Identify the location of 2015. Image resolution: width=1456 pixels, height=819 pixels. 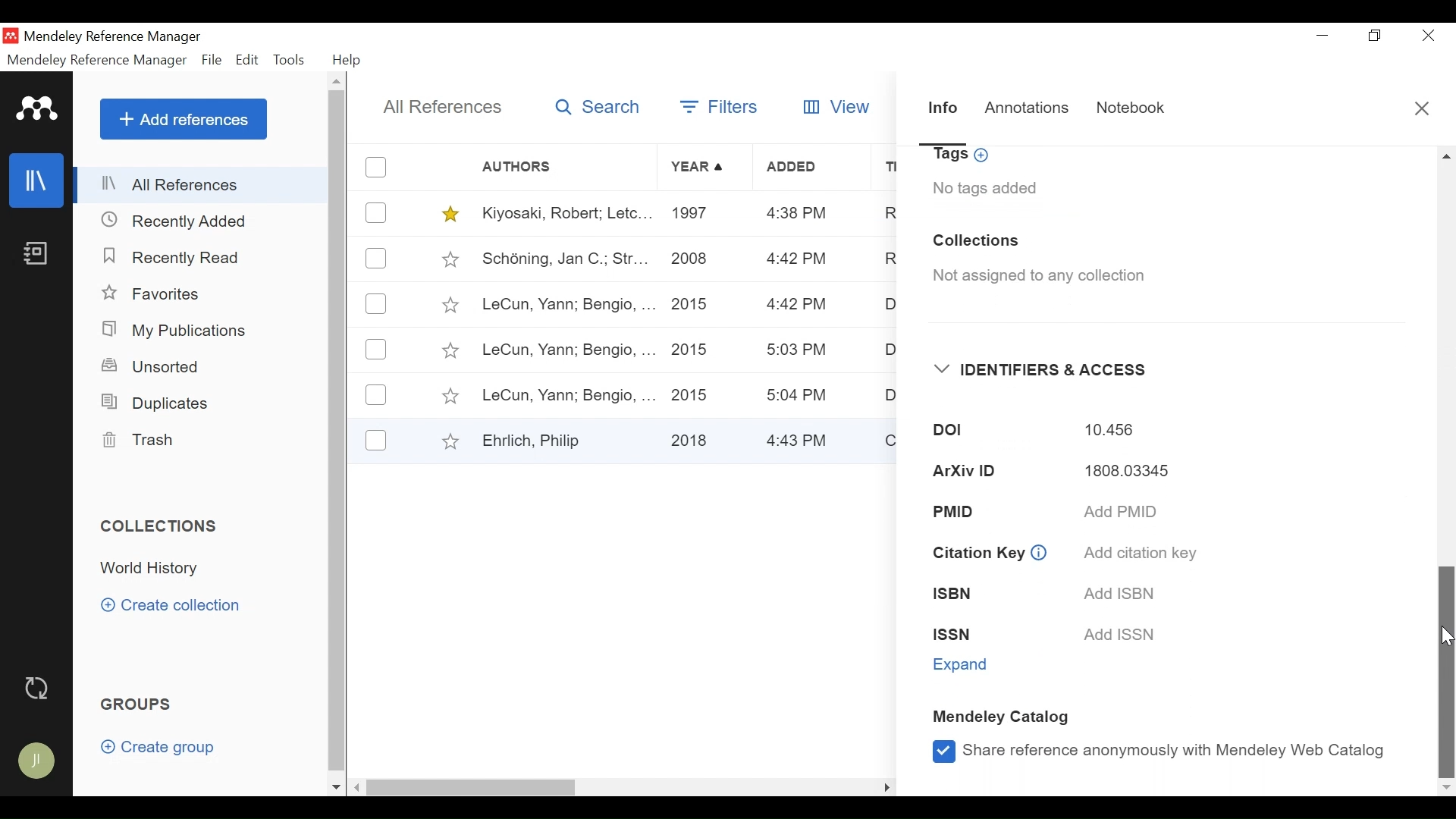
(693, 350).